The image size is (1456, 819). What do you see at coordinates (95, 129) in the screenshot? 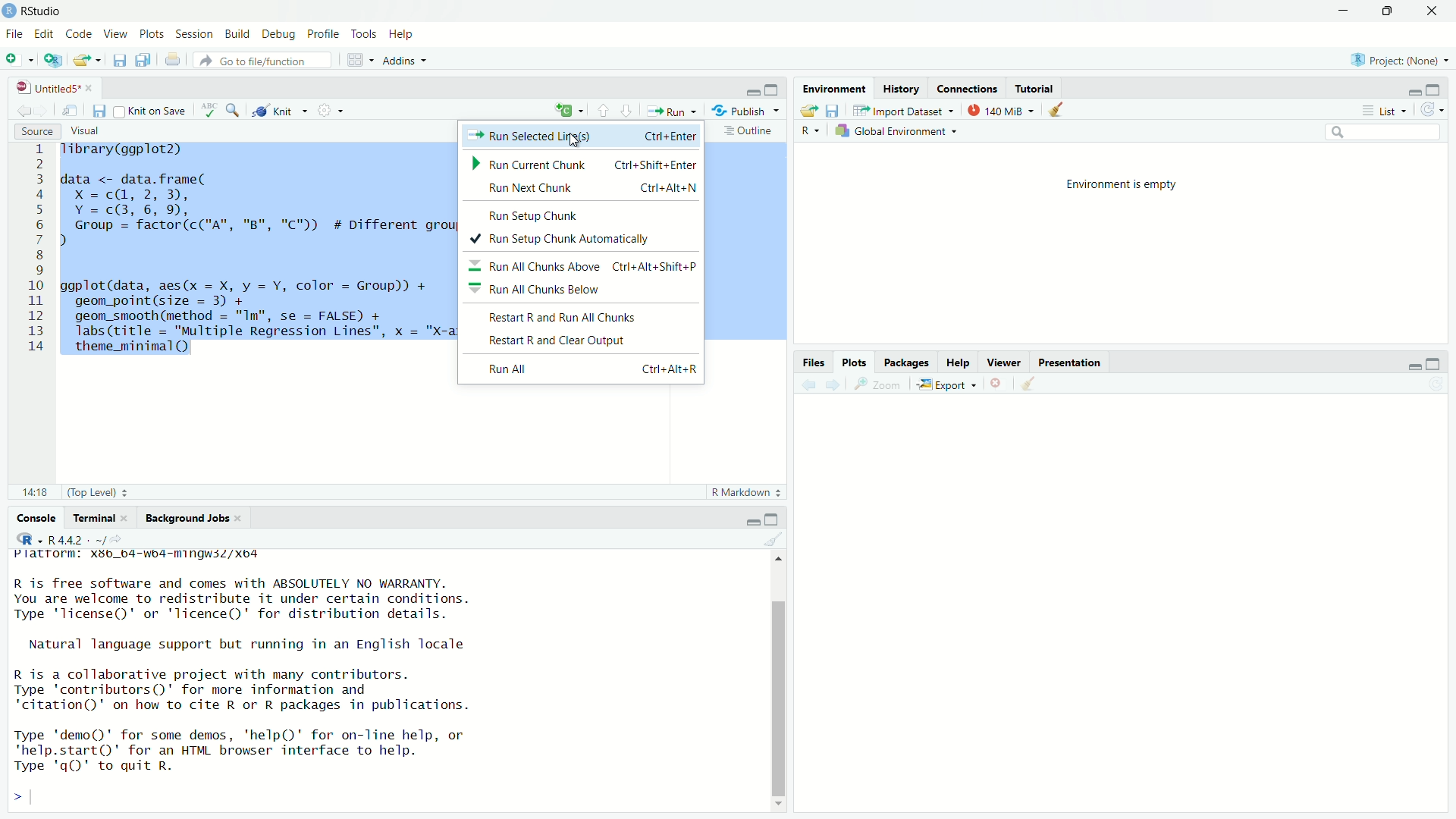
I see `Visual` at bounding box center [95, 129].